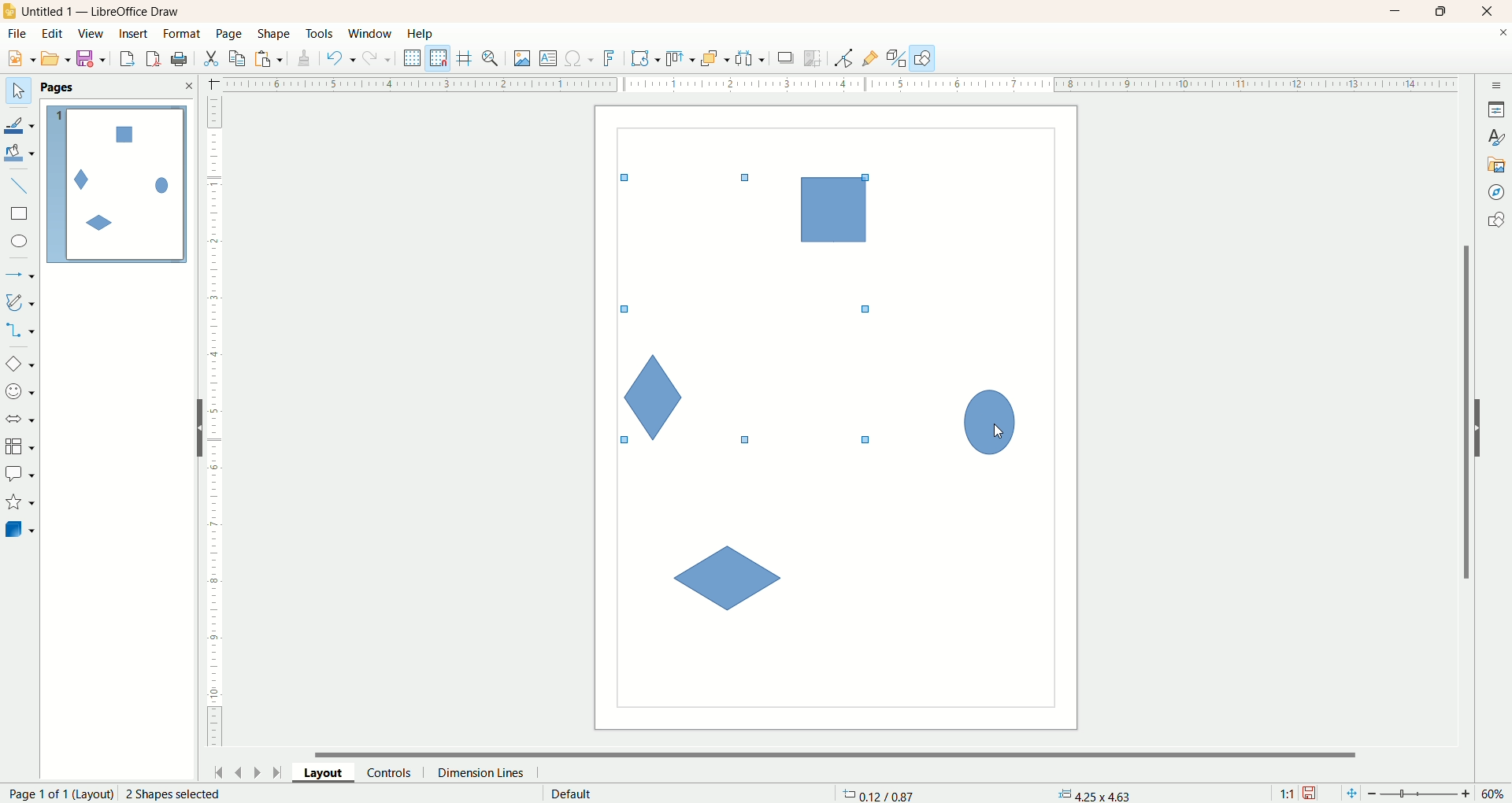 This screenshot has height=803, width=1512. Describe the element at coordinates (733, 577) in the screenshot. I see `unselected shape` at that location.